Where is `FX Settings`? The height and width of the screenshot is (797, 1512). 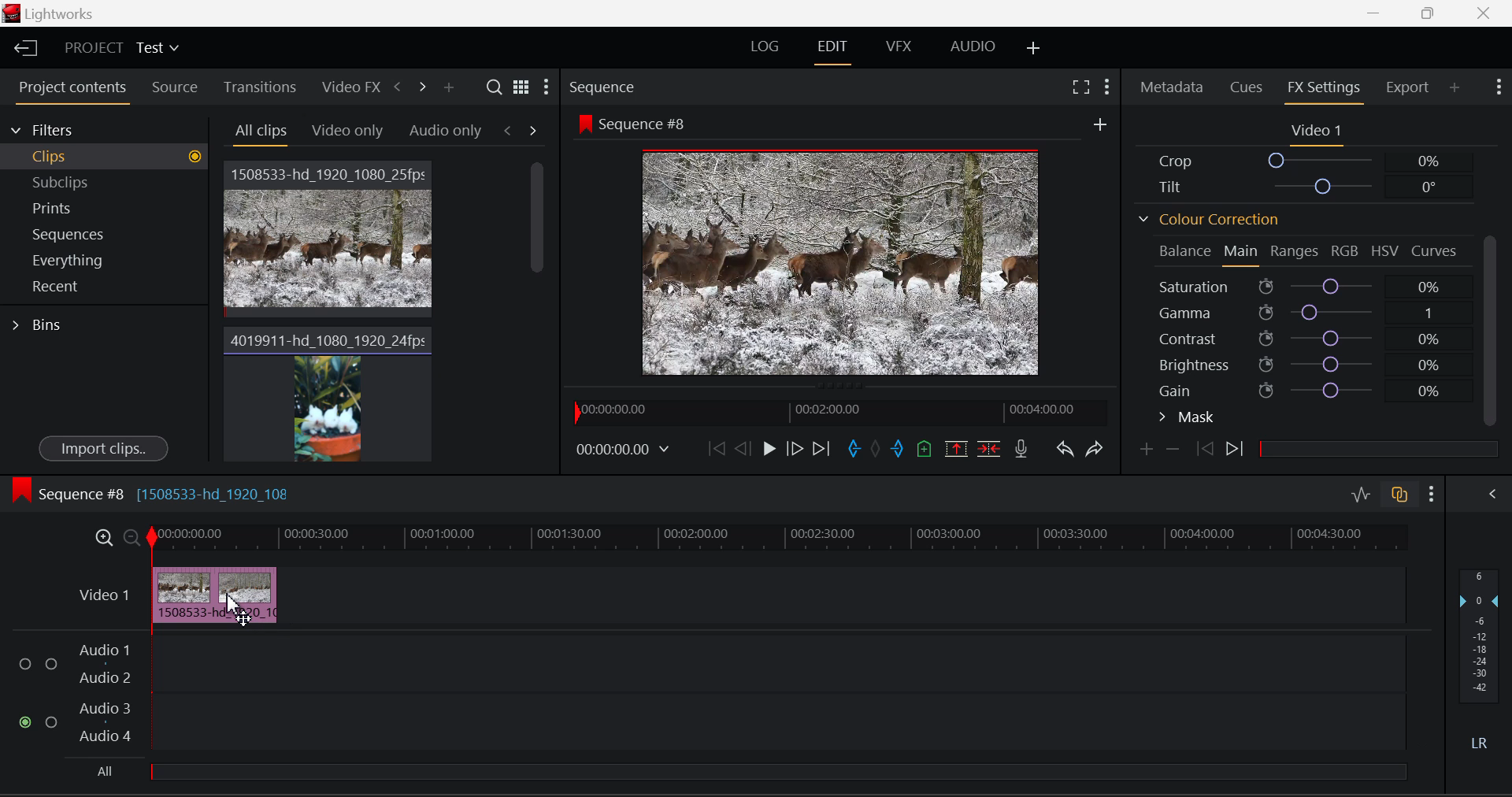 FX Settings is located at coordinates (1320, 88).